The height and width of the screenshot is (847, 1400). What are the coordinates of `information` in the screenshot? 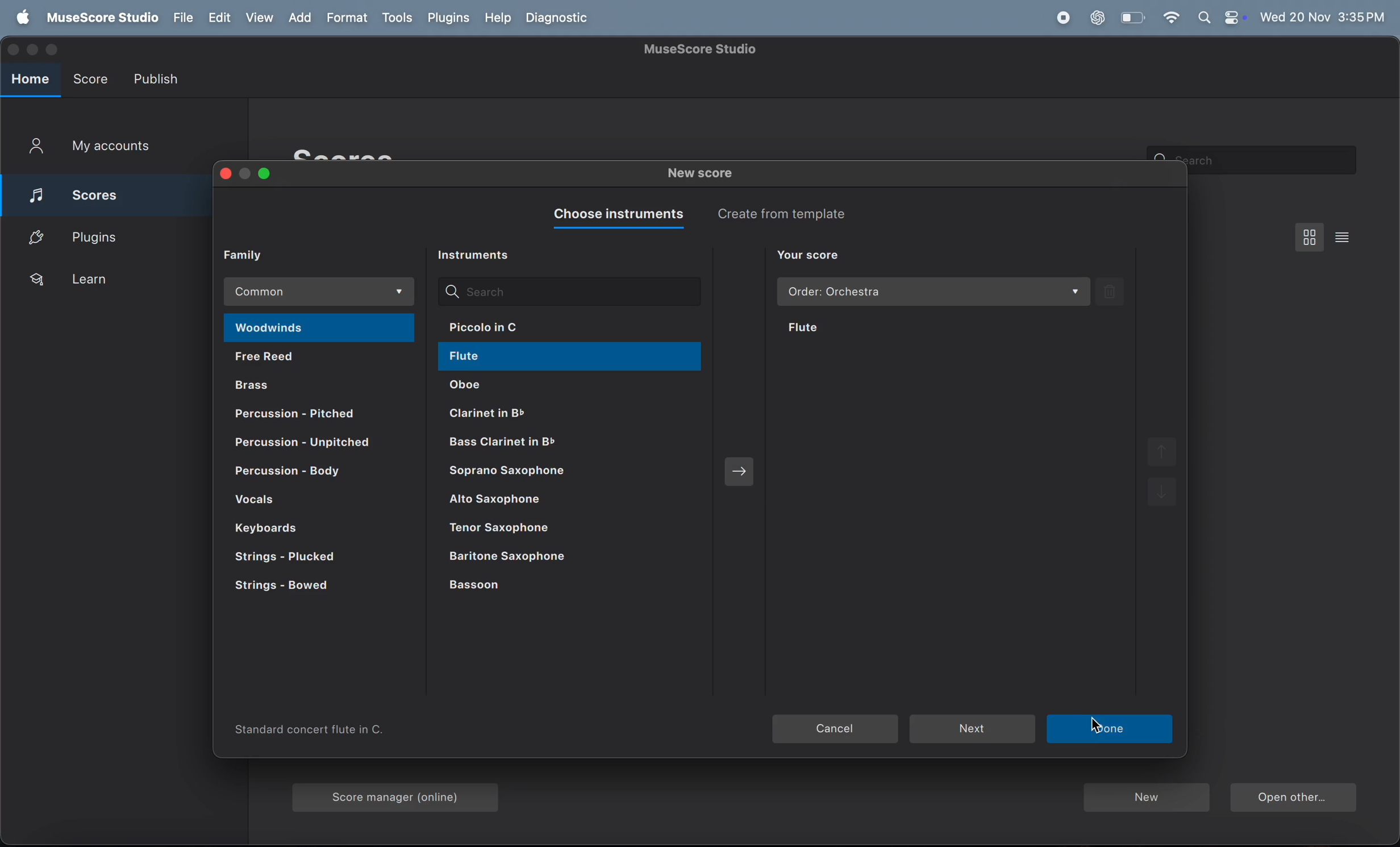 It's located at (314, 730).